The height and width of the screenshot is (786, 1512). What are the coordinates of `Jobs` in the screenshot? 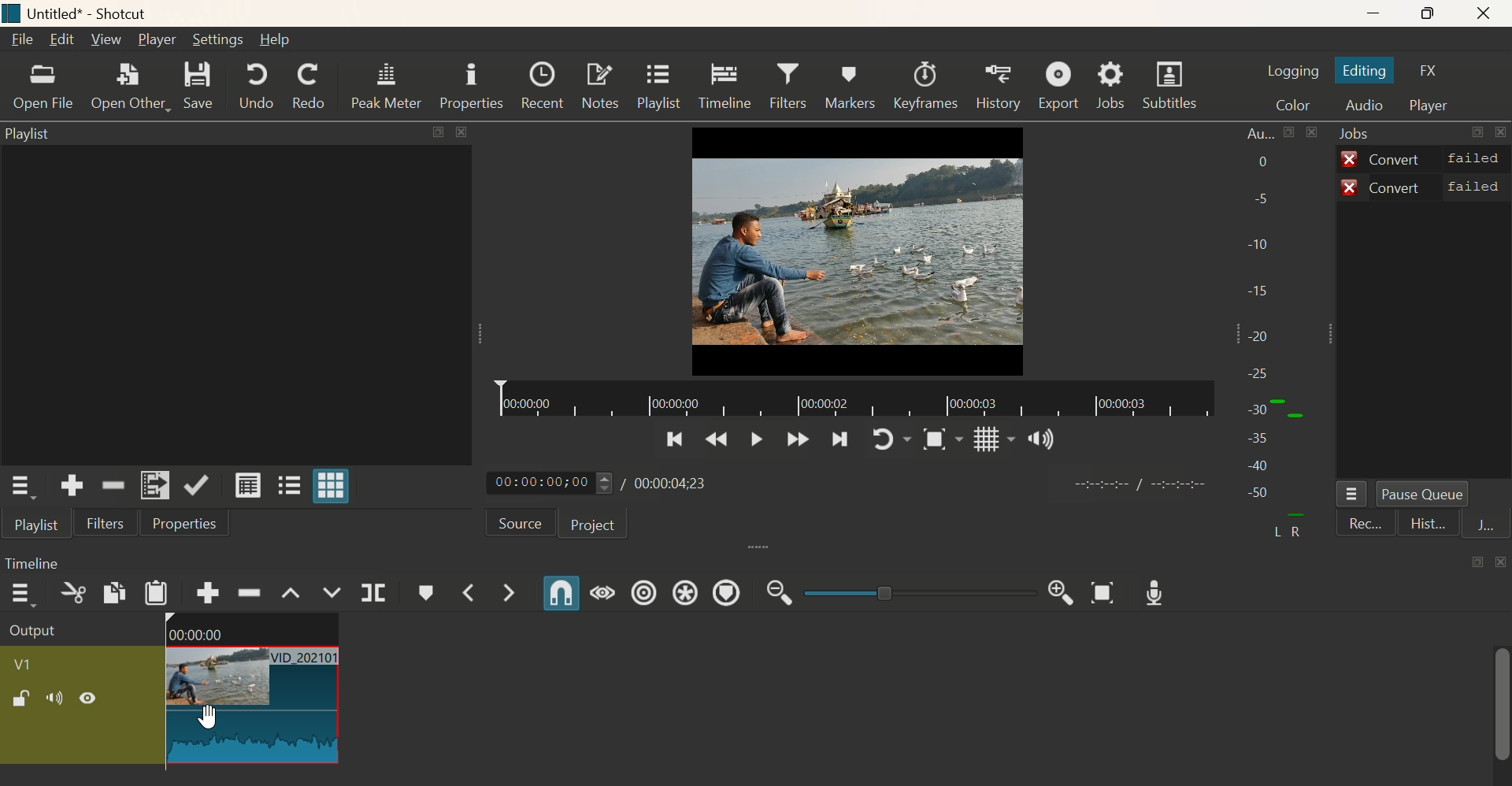 It's located at (1361, 134).